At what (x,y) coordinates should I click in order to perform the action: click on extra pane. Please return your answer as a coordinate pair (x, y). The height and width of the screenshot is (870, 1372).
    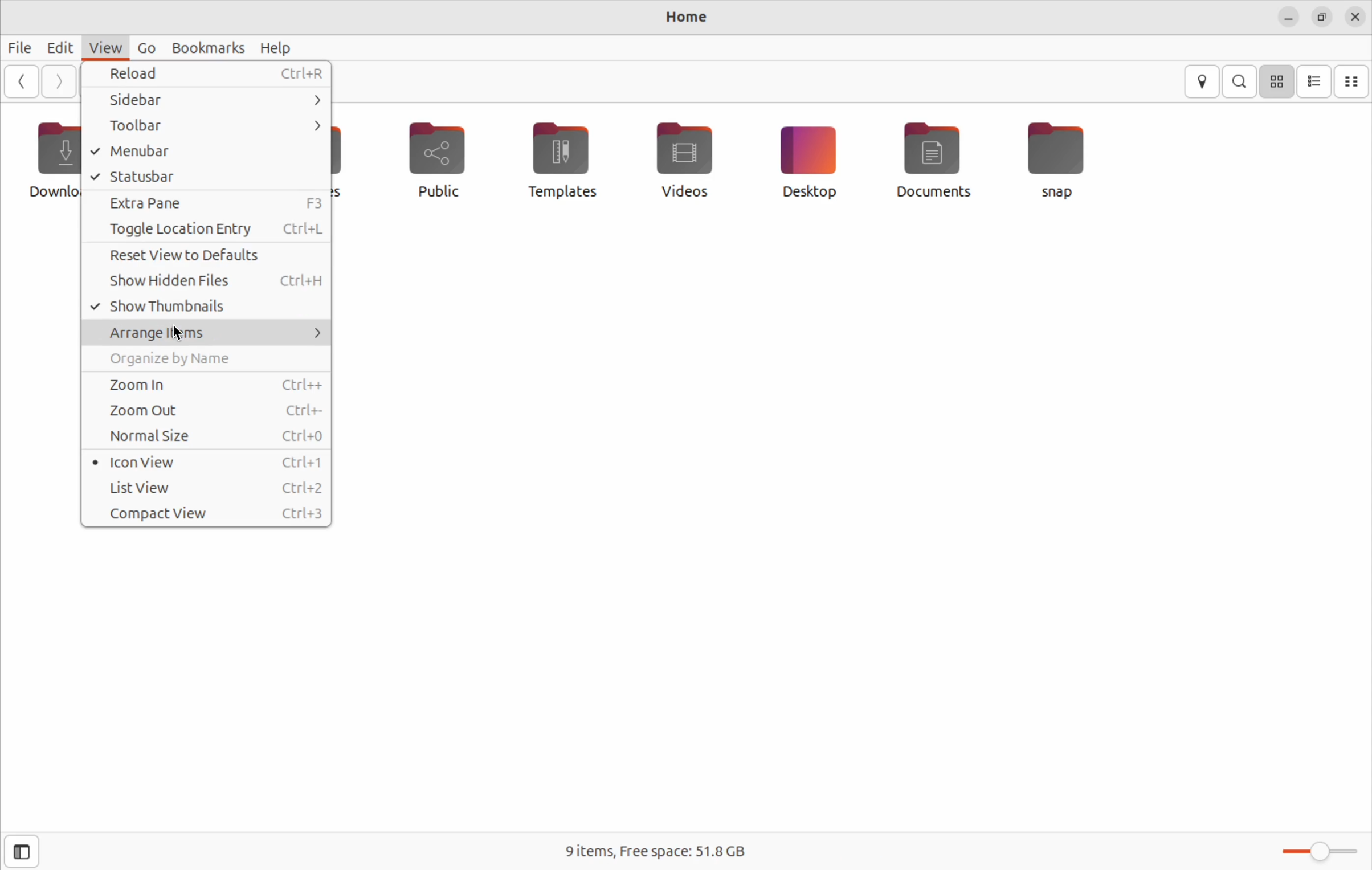
    Looking at the image, I should click on (206, 203).